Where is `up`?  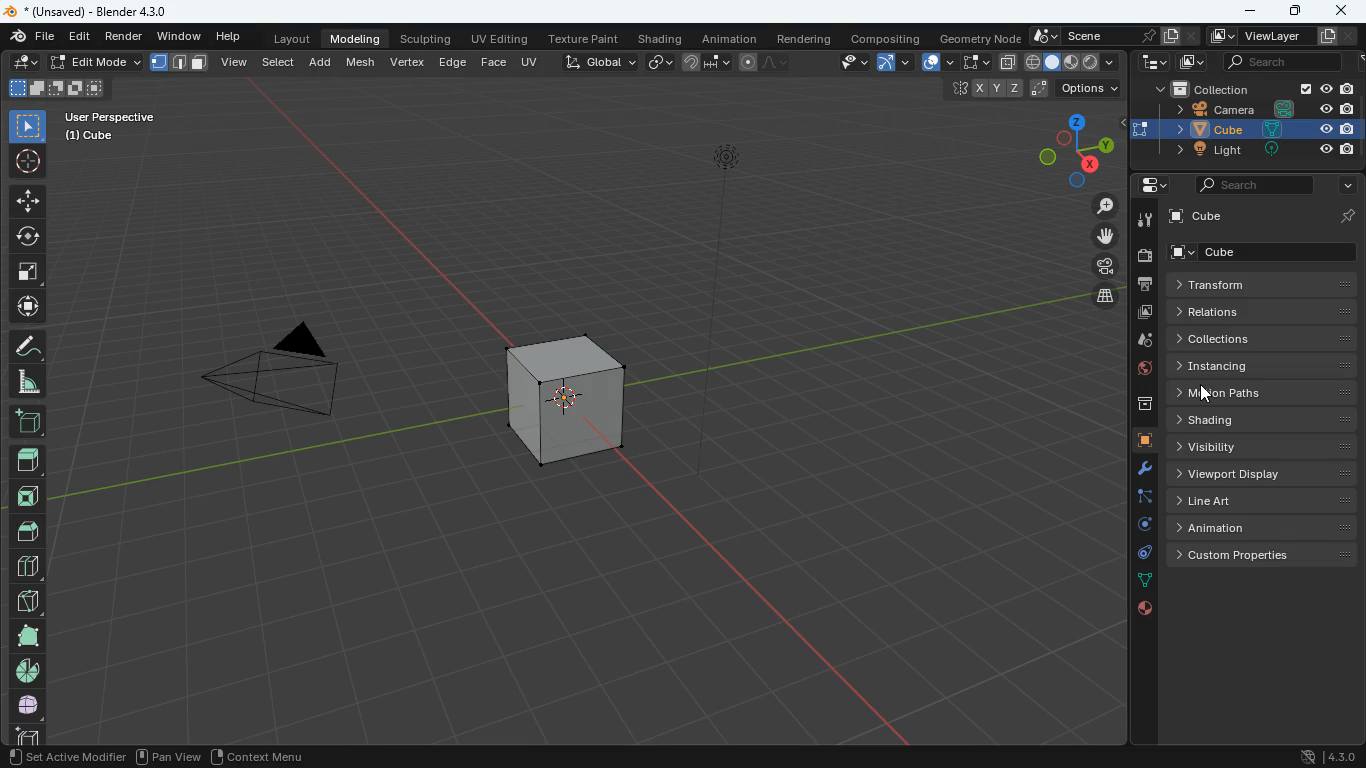
up is located at coordinates (27, 454).